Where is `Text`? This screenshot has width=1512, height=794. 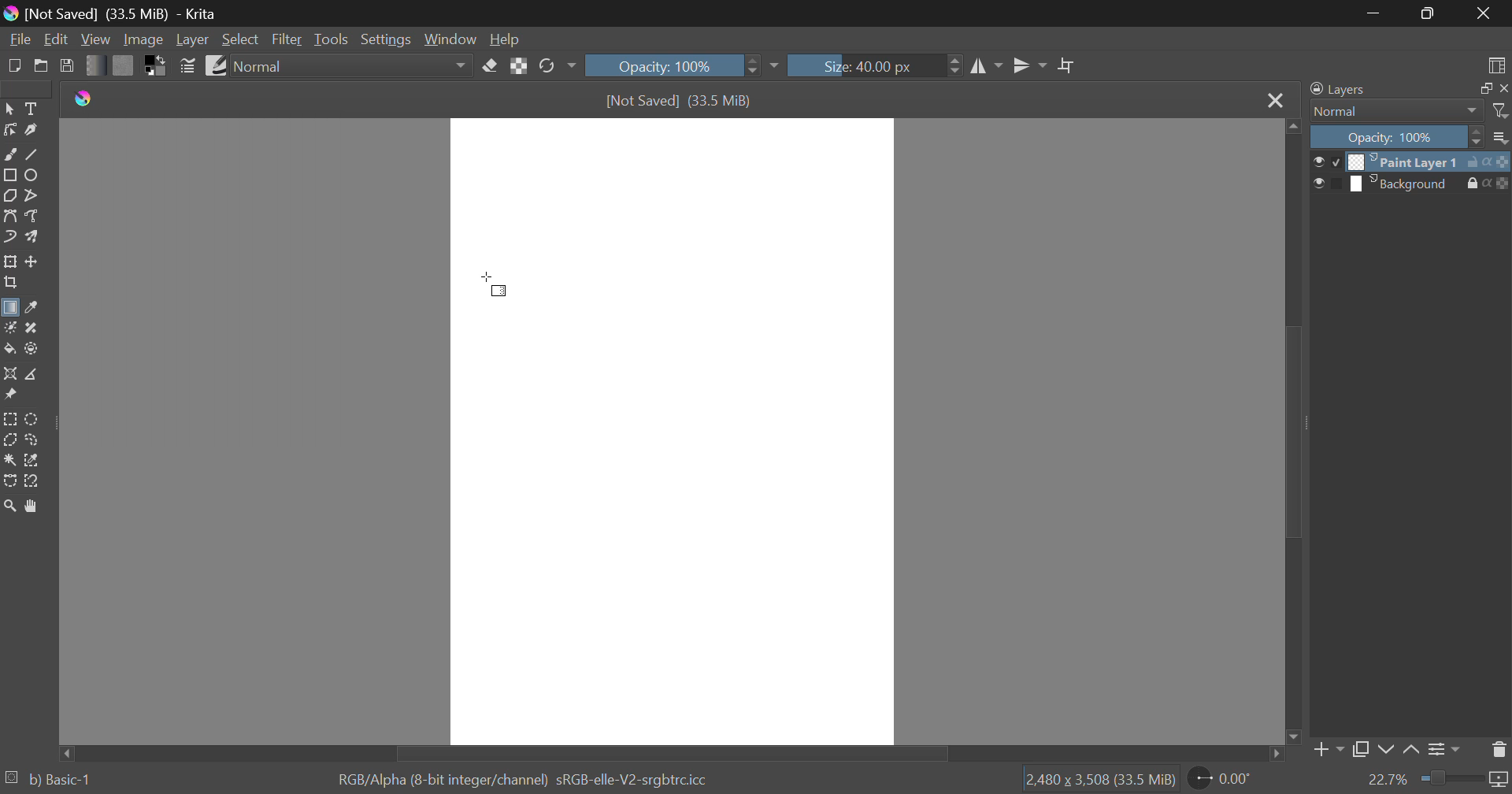
Text is located at coordinates (30, 107).